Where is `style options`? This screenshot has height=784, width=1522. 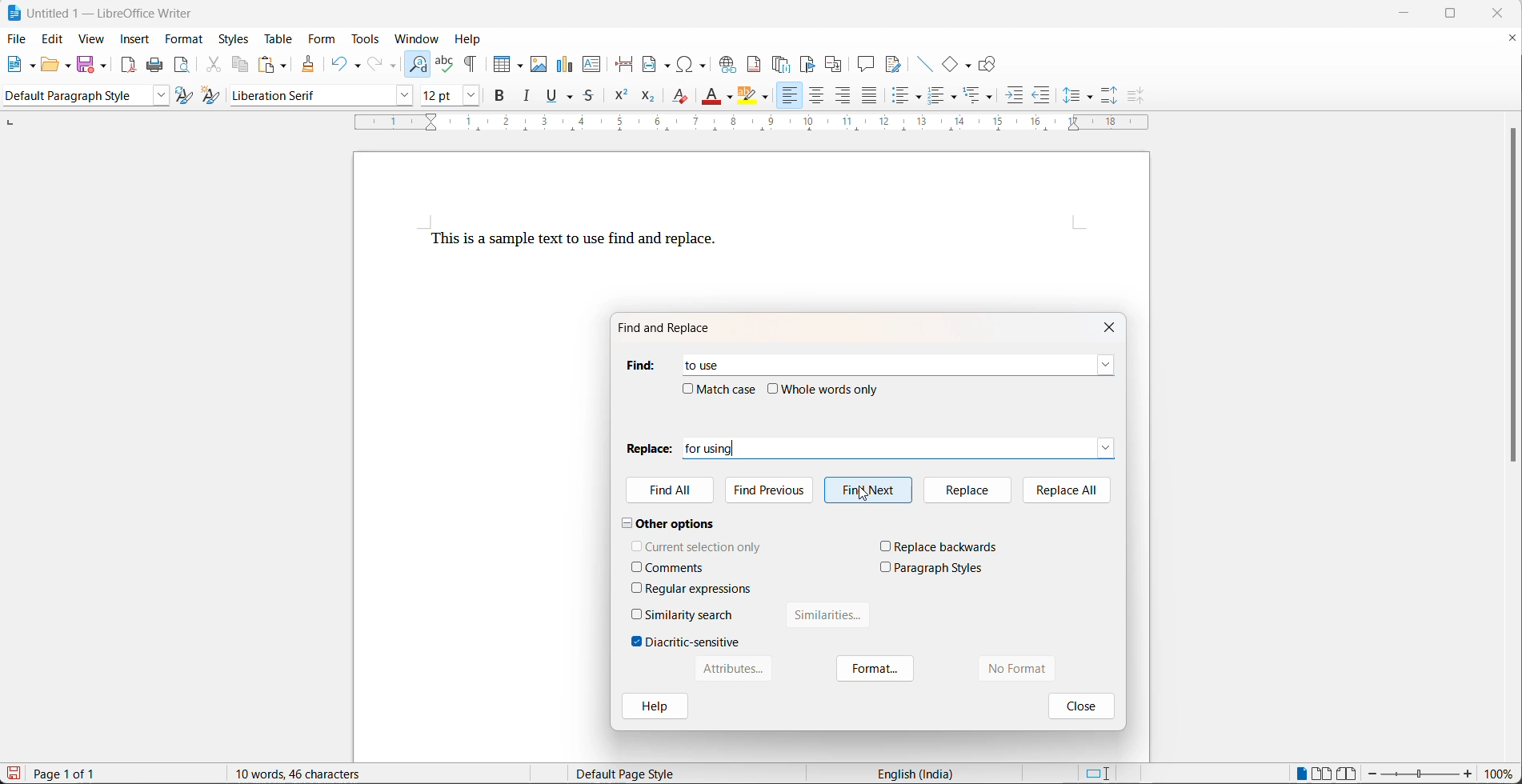
style options is located at coordinates (157, 96).